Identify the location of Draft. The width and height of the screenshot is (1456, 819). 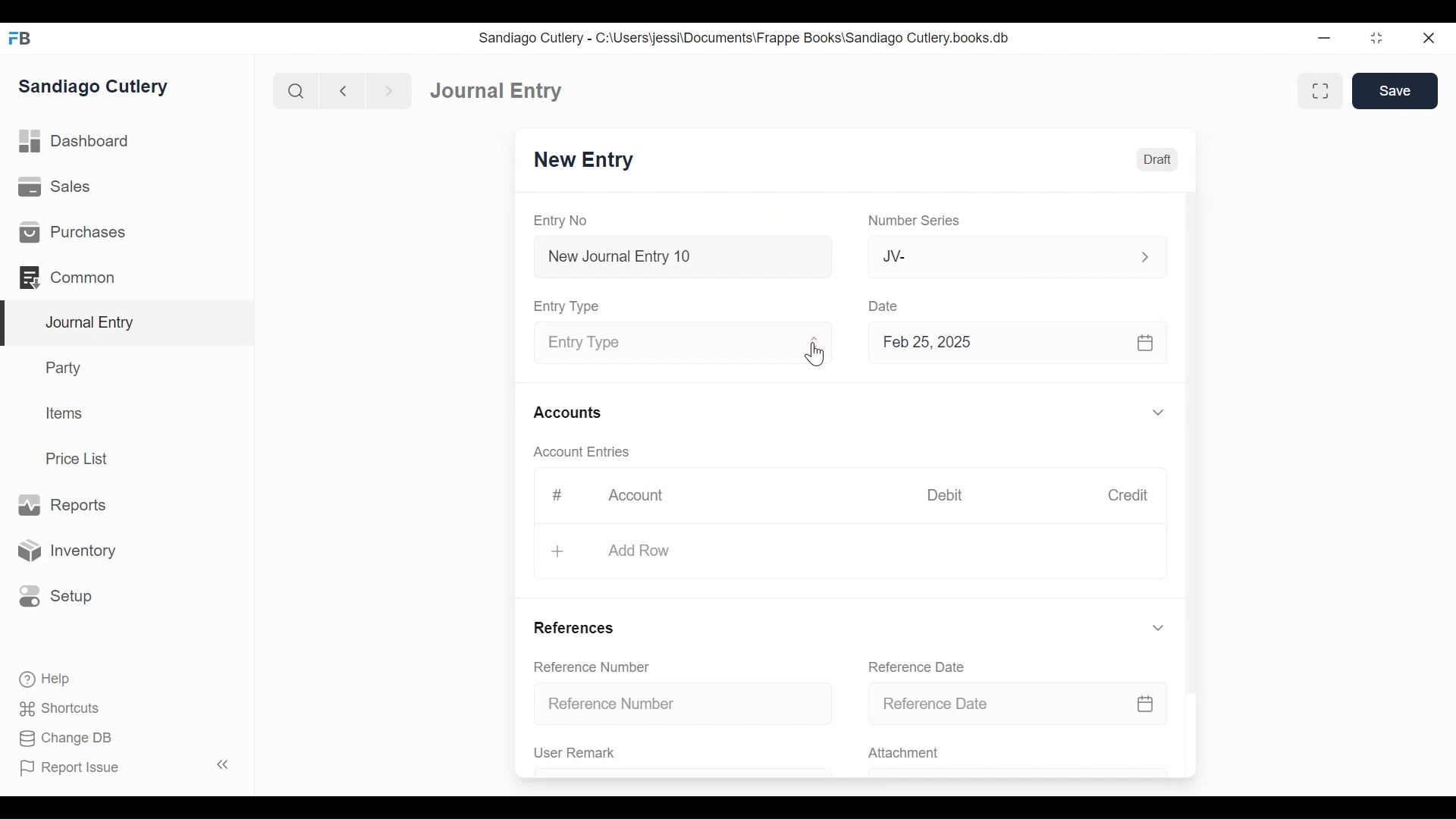
(1158, 160).